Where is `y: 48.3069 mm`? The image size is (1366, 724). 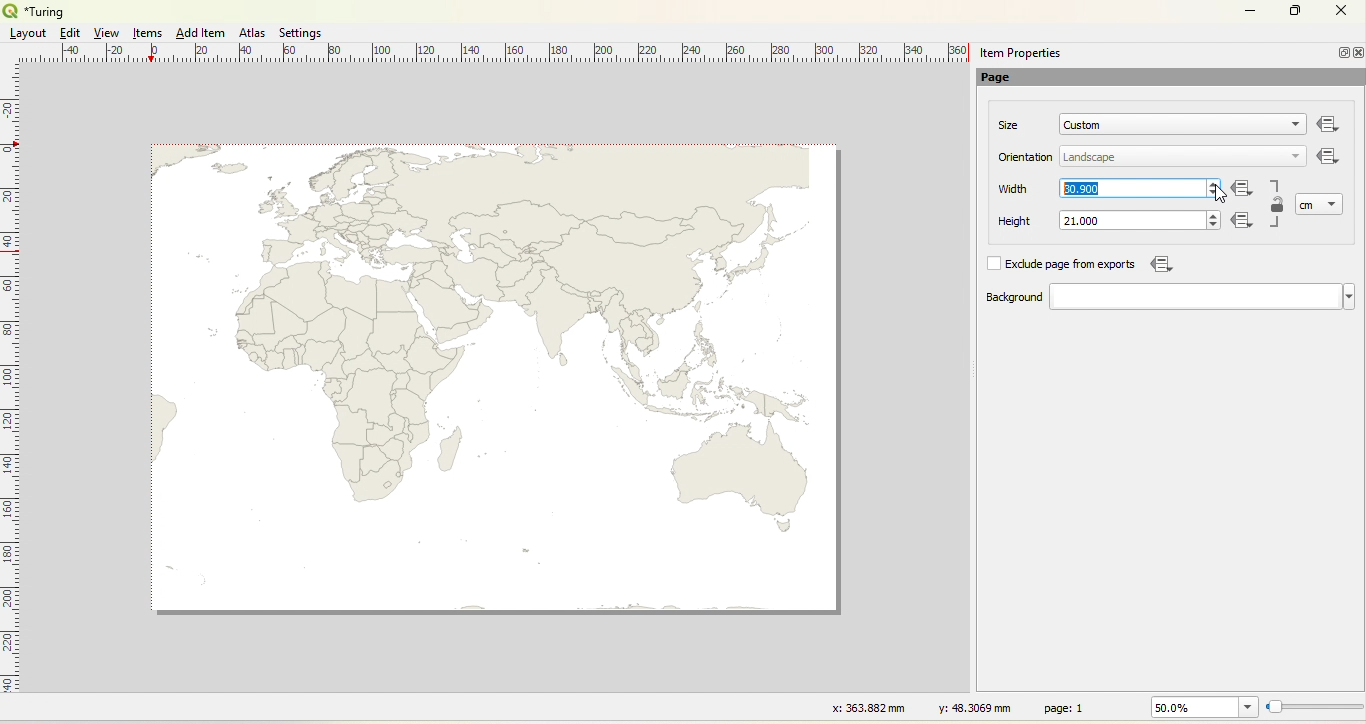 y: 48.3069 mm is located at coordinates (968, 707).